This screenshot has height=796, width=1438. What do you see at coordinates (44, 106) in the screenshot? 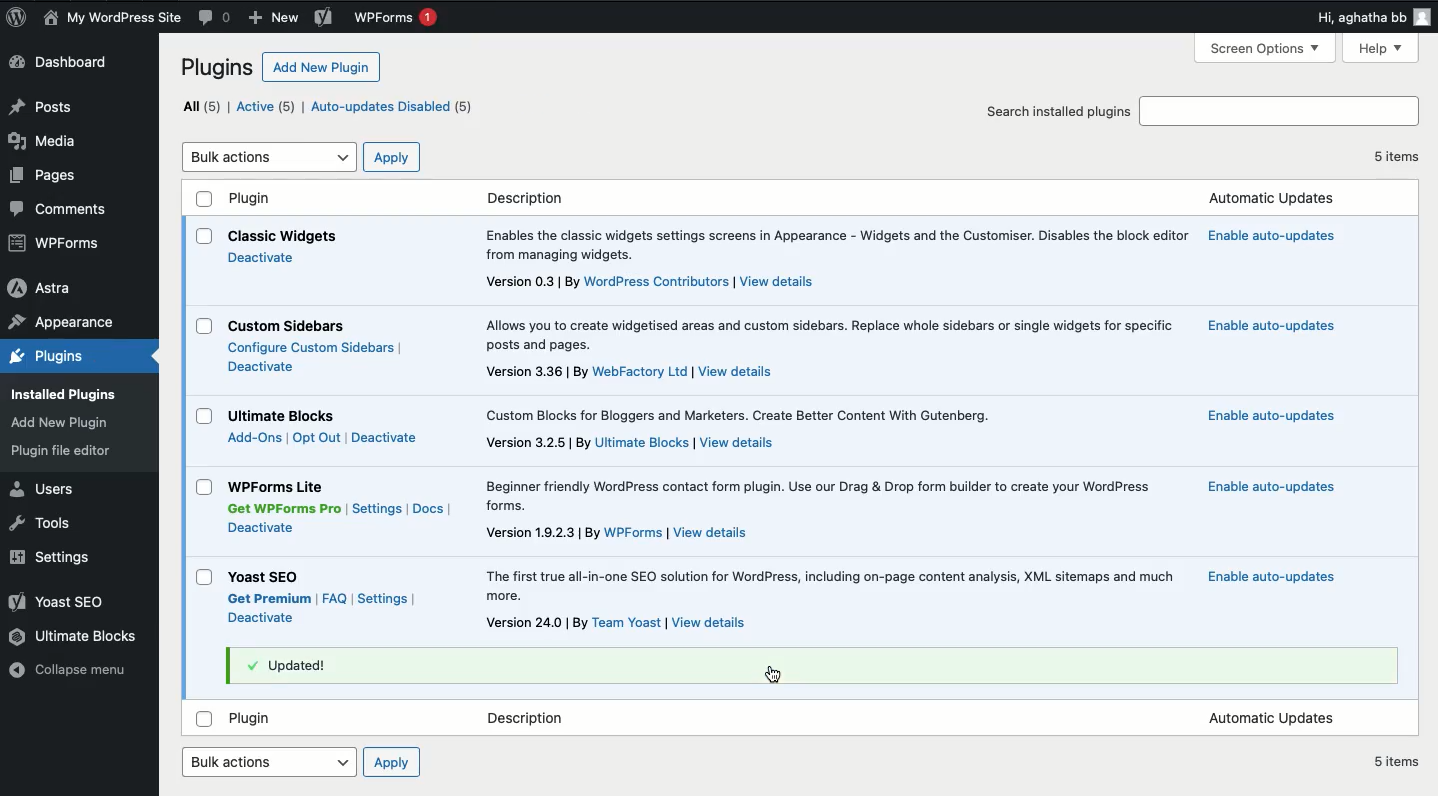
I see `Posts` at bounding box center [44, 106].